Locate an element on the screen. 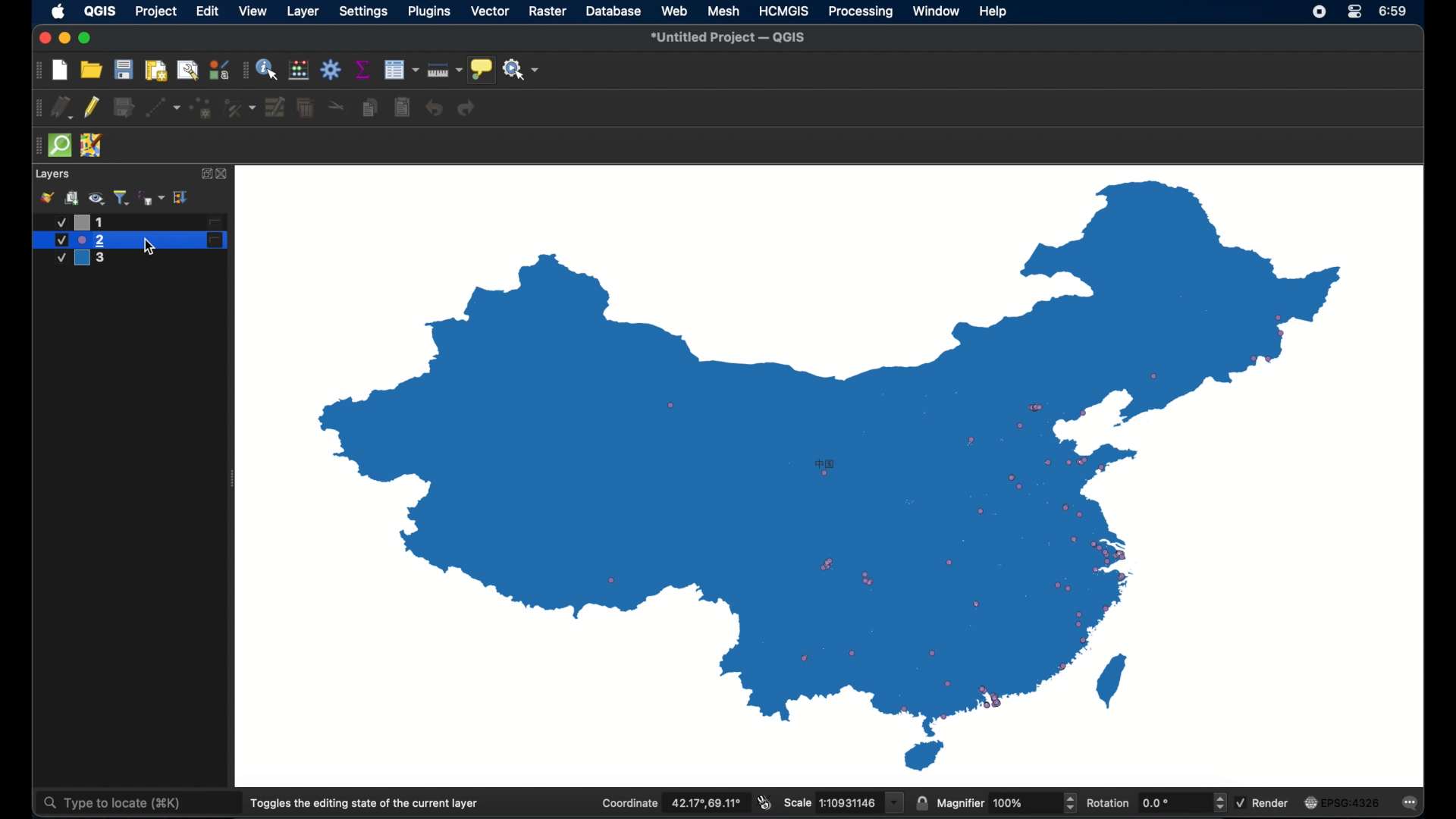  drag handle is located at coordinates (245, 69).